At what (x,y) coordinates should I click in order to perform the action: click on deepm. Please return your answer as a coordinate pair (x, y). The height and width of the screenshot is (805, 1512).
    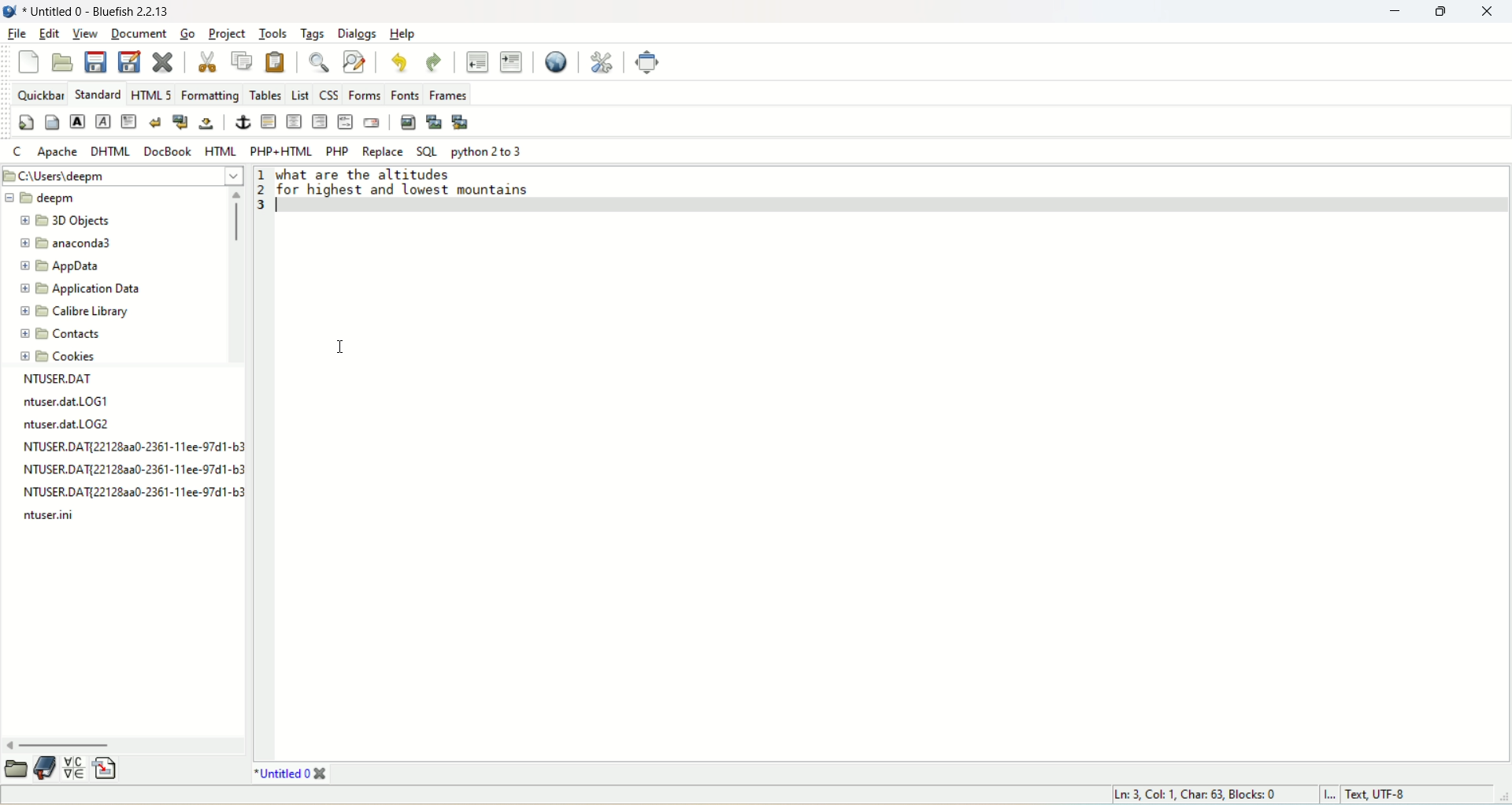
    Looking at the image, I should click on (45, 197).